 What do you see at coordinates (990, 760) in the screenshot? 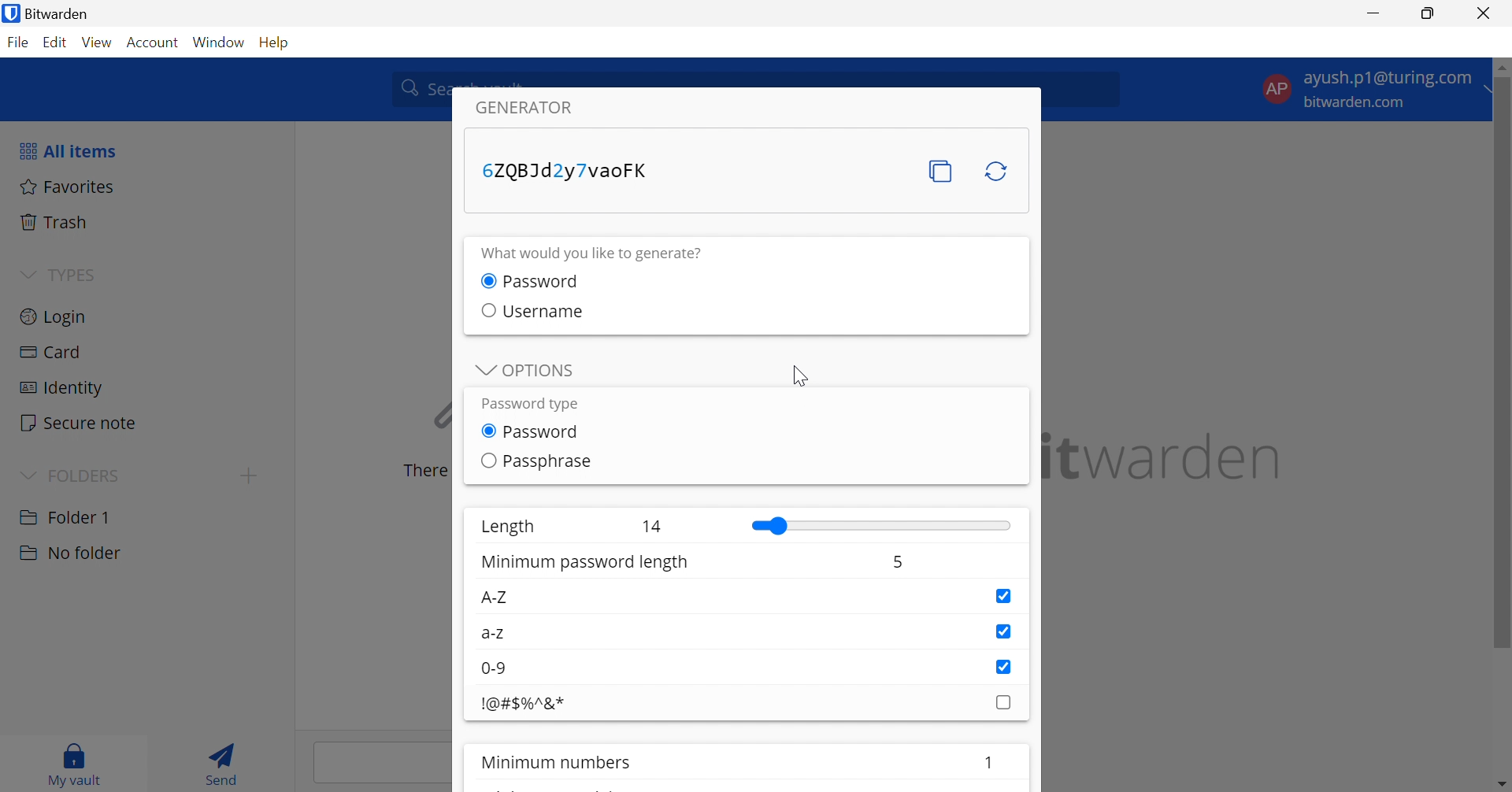
I see `1` at bounding box center [990, 760].